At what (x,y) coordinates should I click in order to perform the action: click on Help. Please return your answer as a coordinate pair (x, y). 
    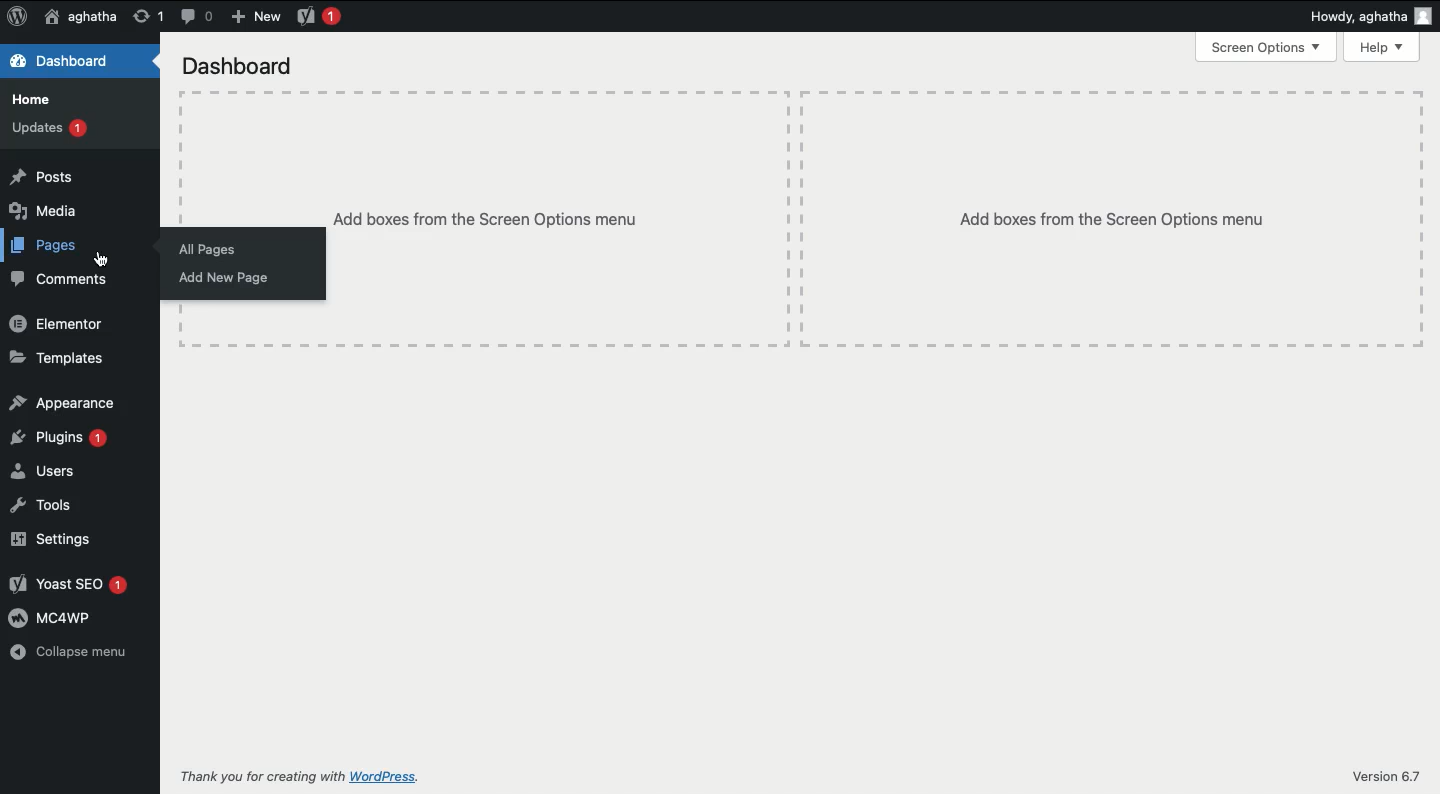
    Looking at the image, I should click on (1385, 47).